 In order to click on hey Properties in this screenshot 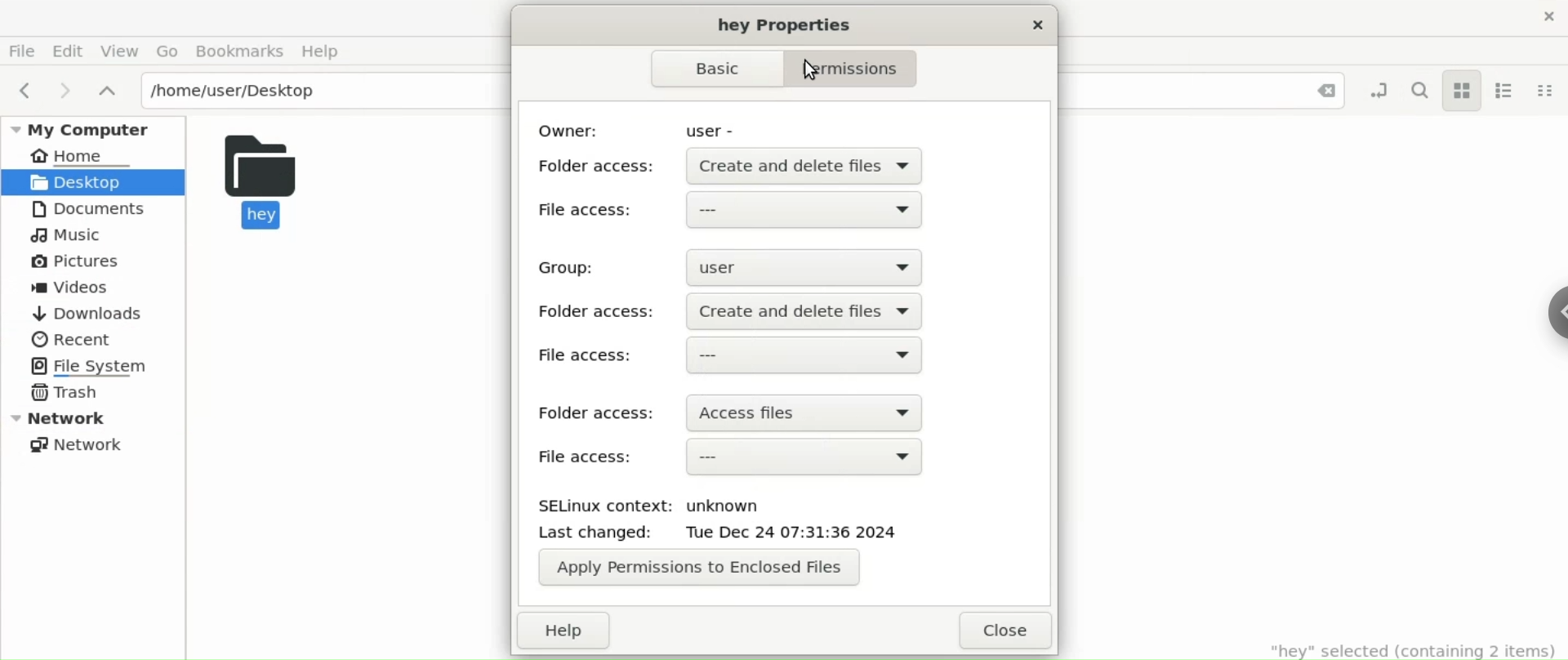, I will do `click(783, 28)`.